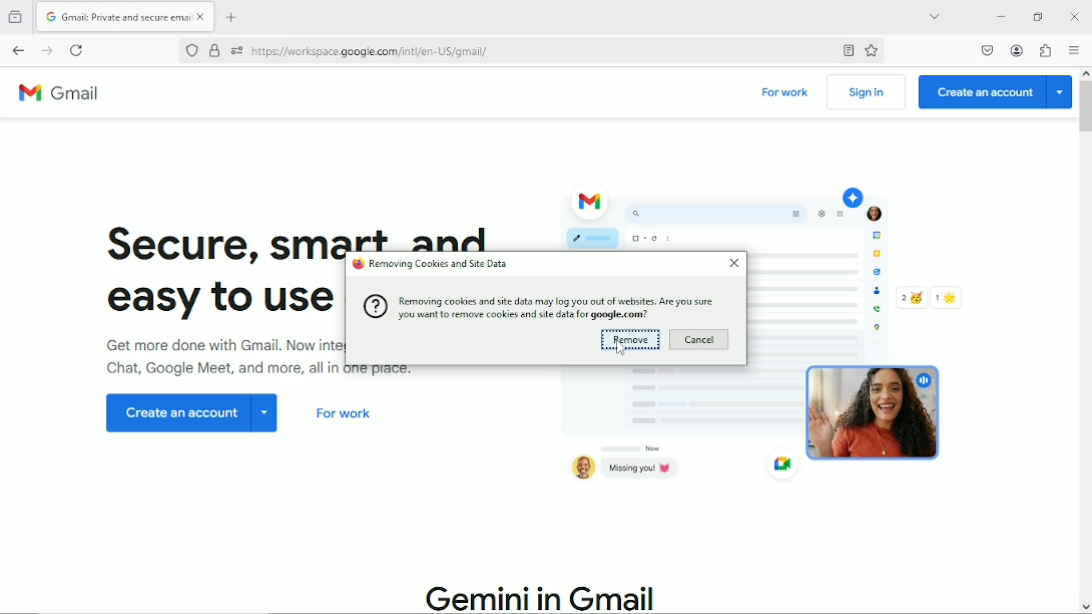 The image size is (1092, 614). Describe the element at coordinates (235, 51) in the screenshot. I see `You have granted this website additional permissions` at that location.